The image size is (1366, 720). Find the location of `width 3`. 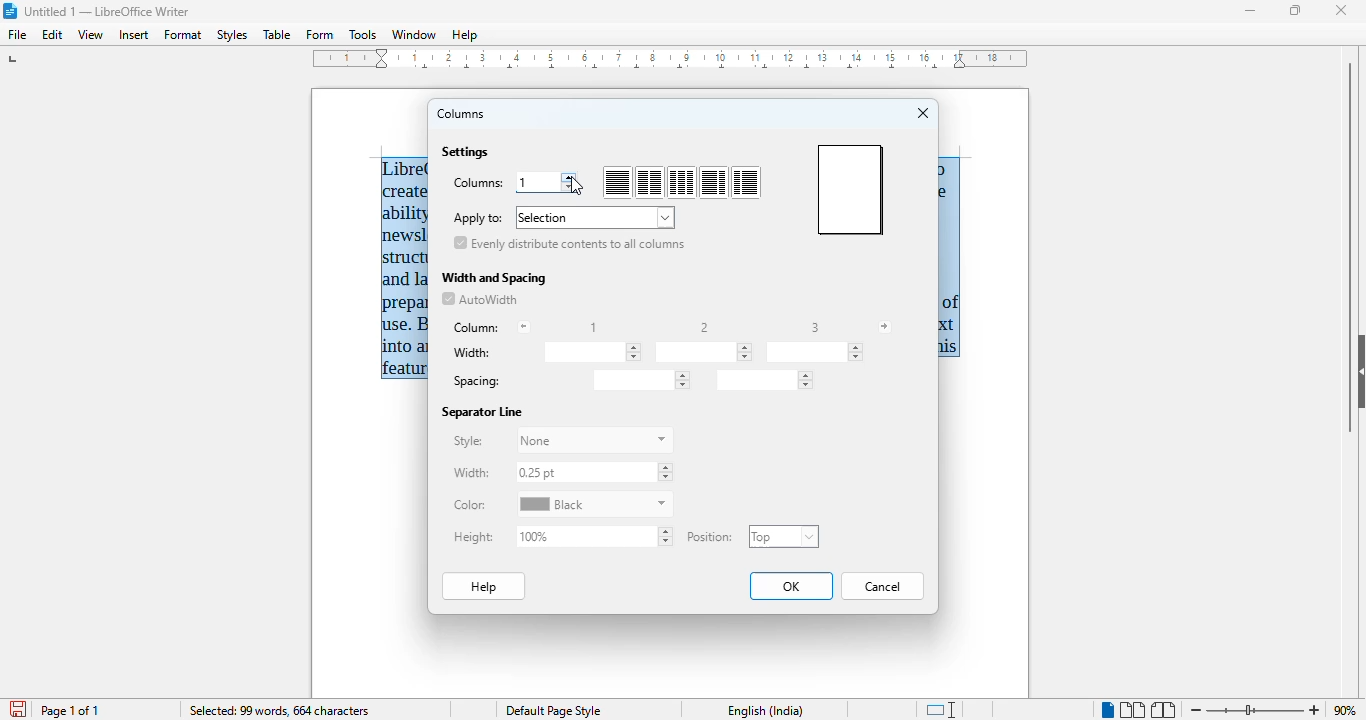

width 3 is located at coordinates (815, 352).